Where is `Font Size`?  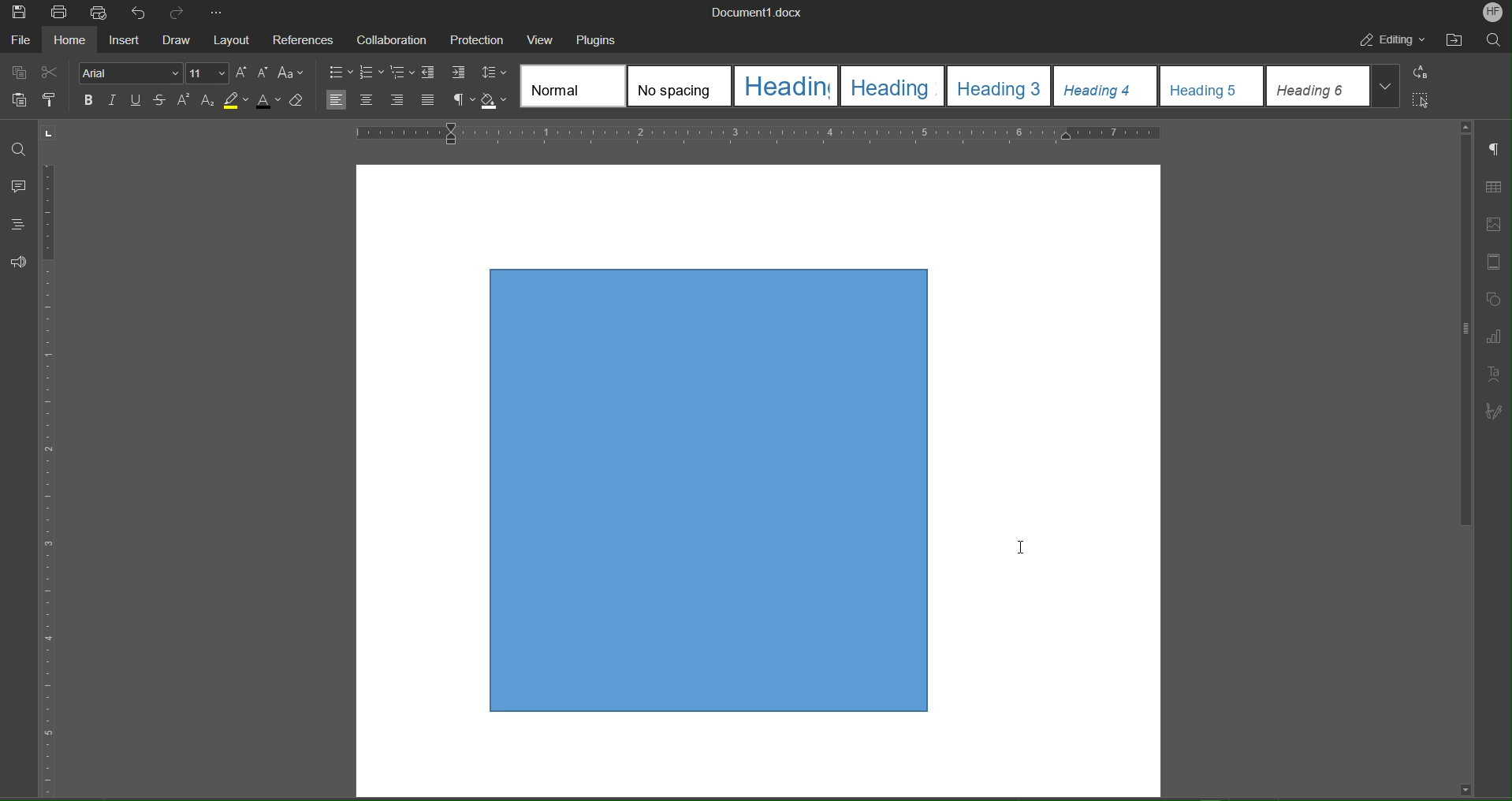 Font Size is located at coordinates (207, 74).